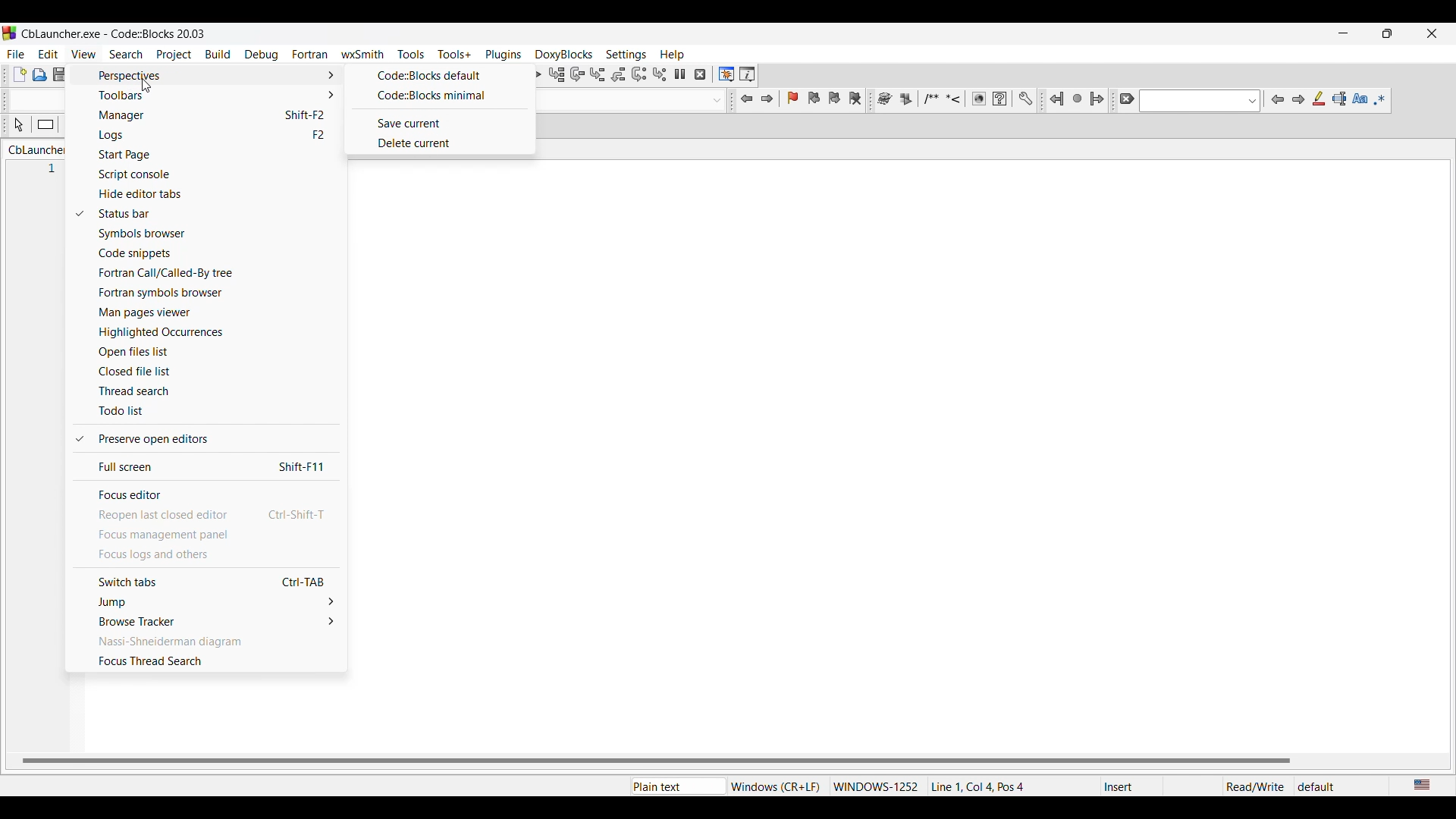 The height and width of the screenshot is (819, 1456). Describe the element at coordinates (700, 74) in the screenshot. I see `Stop debugger` at that location.